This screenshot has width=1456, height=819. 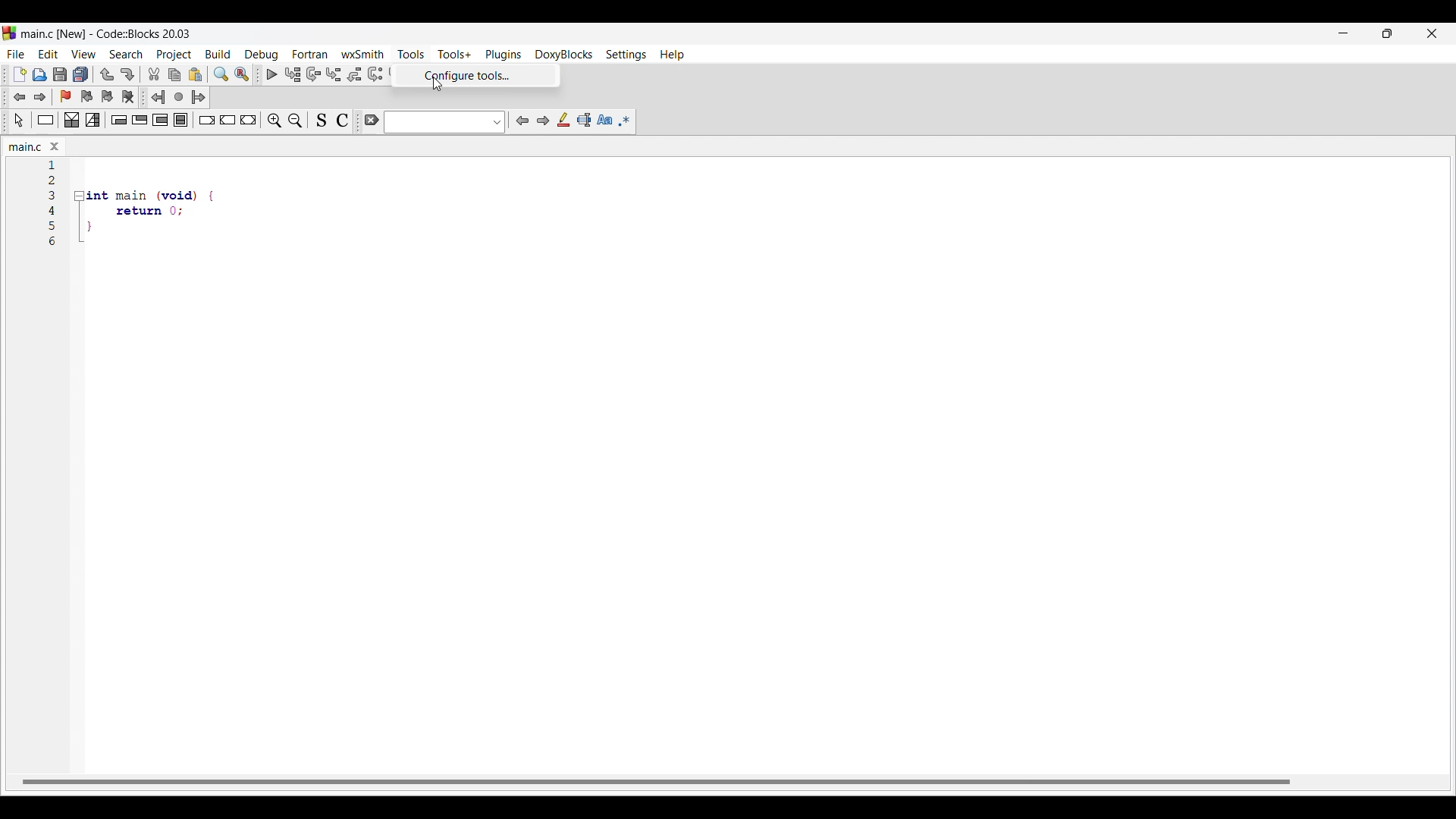 What do you see at coordinates (563, 55) in the screenshot?
I see `DoxyBlocks menu` at bounding box center [563, 55].